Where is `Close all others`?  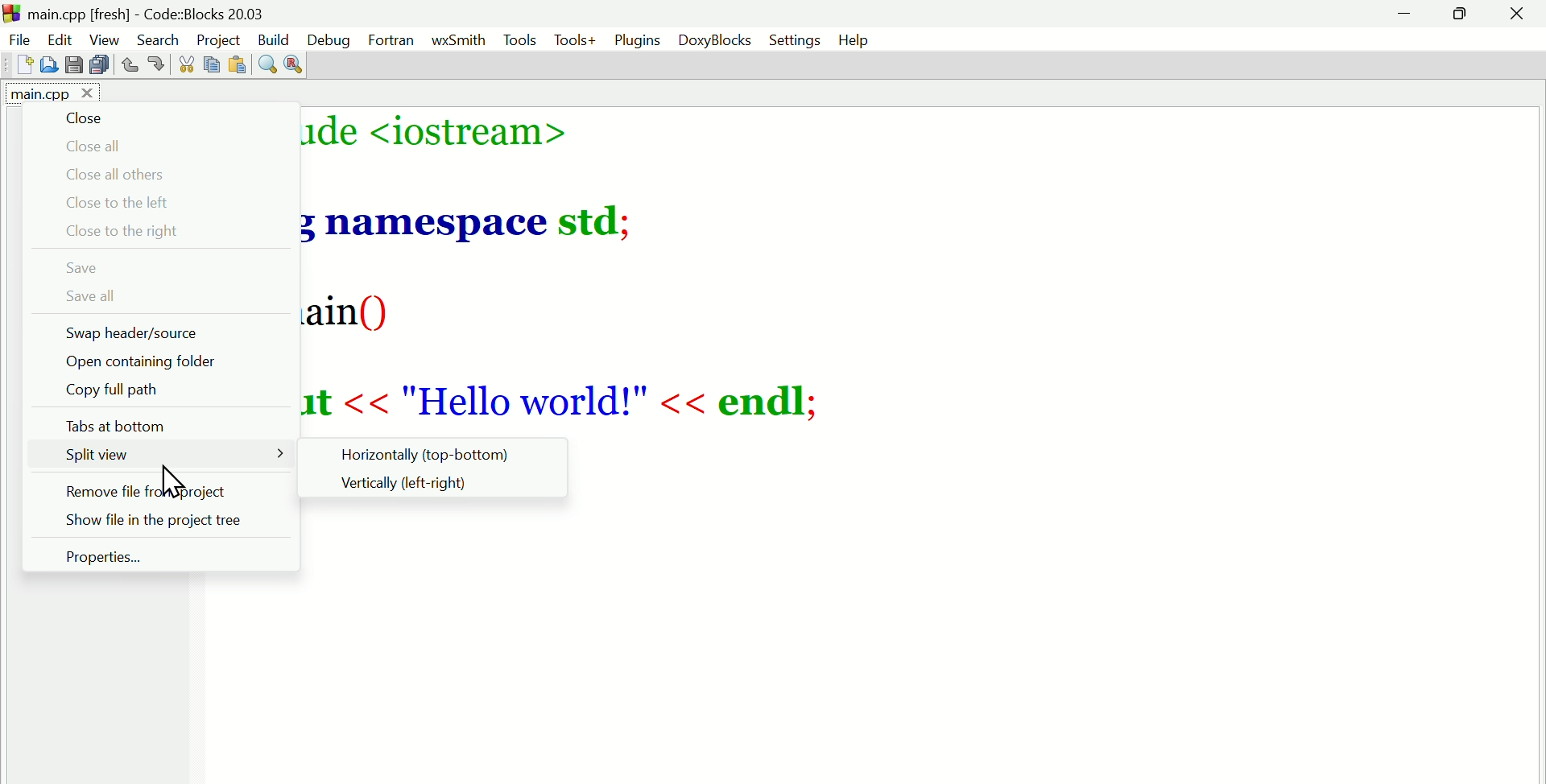
Close all others is located at coordinates (146, 175).